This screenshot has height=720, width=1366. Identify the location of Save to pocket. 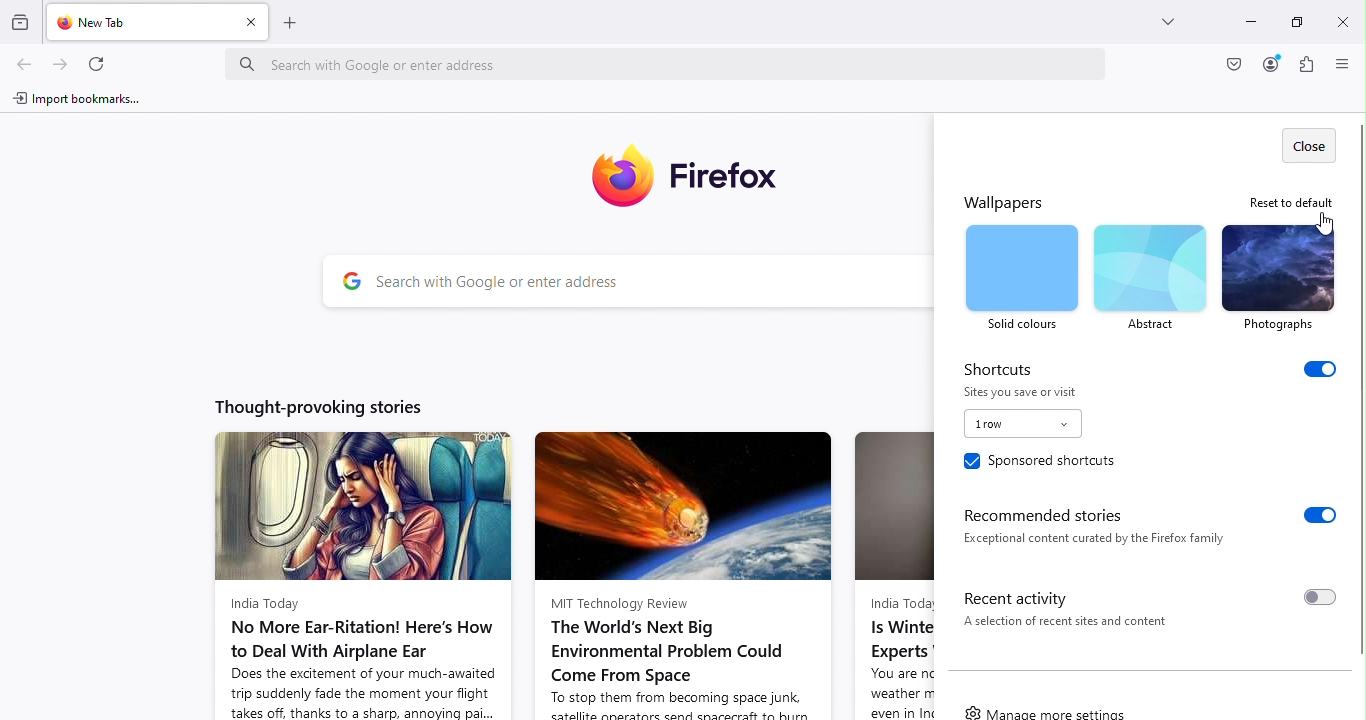
(1230, 66).